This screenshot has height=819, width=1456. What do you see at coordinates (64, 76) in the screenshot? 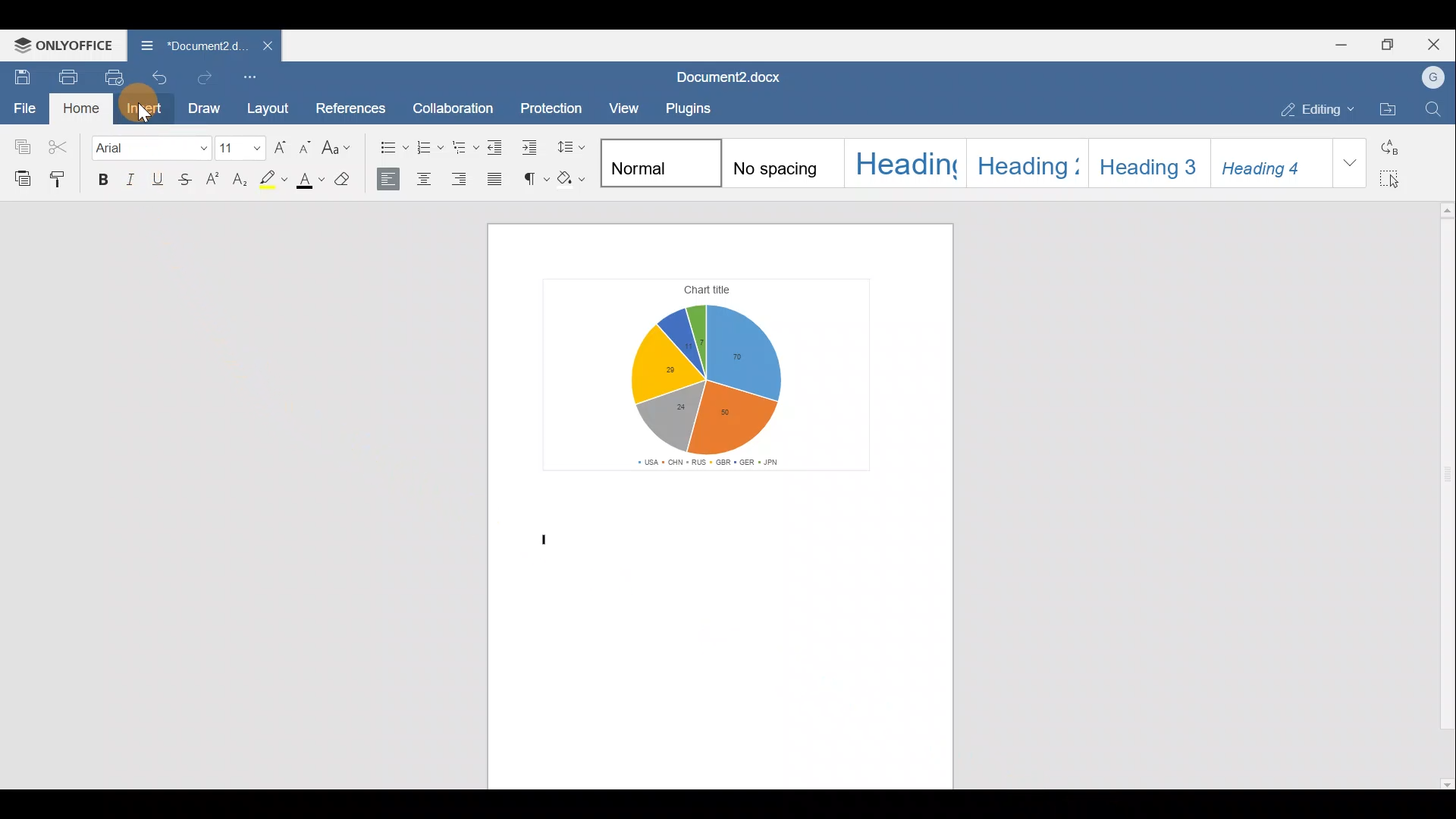
I see `Print file` at bounding box center [64, 76].